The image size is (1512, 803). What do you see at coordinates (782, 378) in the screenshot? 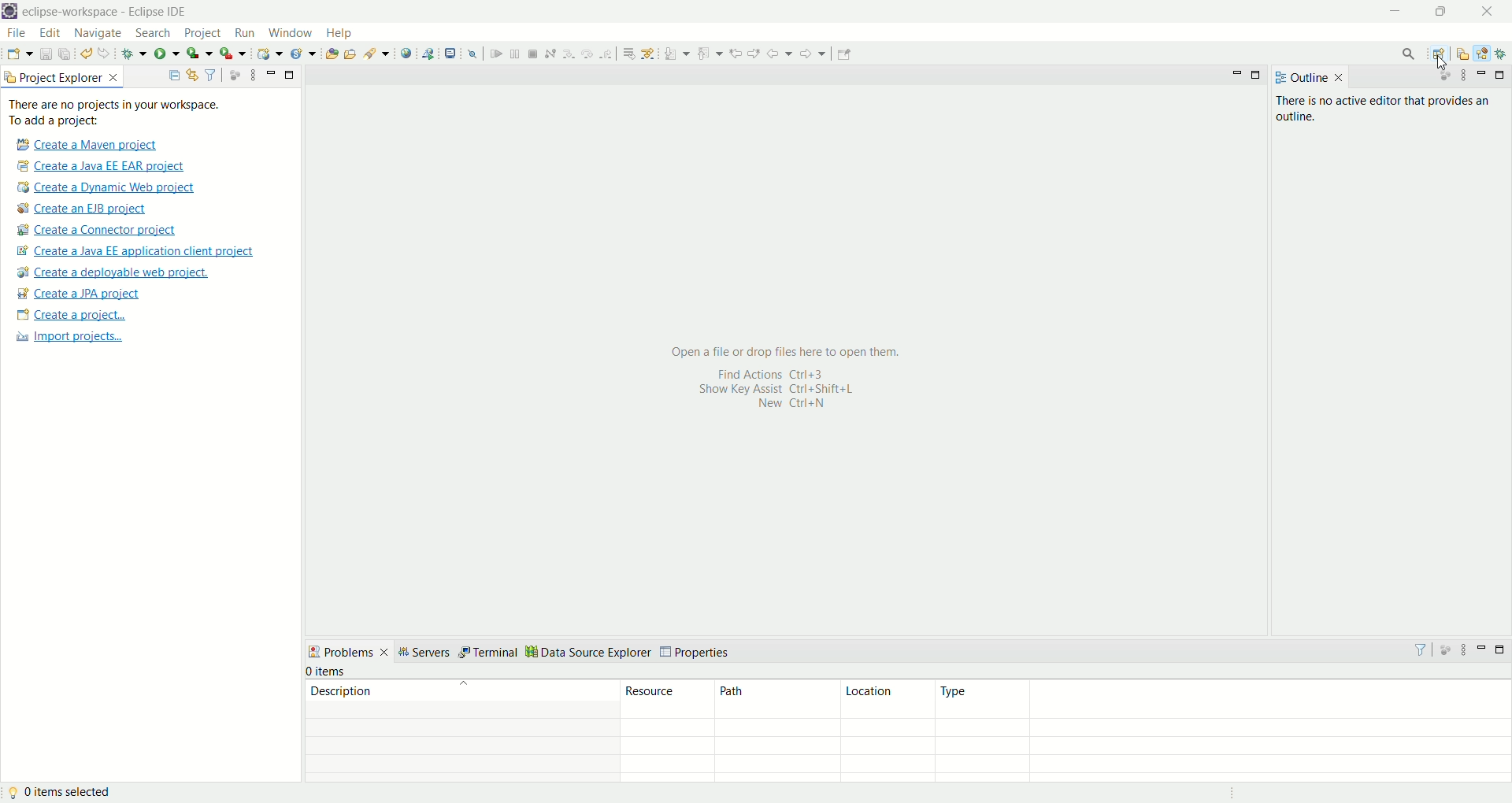
I see `open a file or drag here to open` at bounding box center [782, 378].